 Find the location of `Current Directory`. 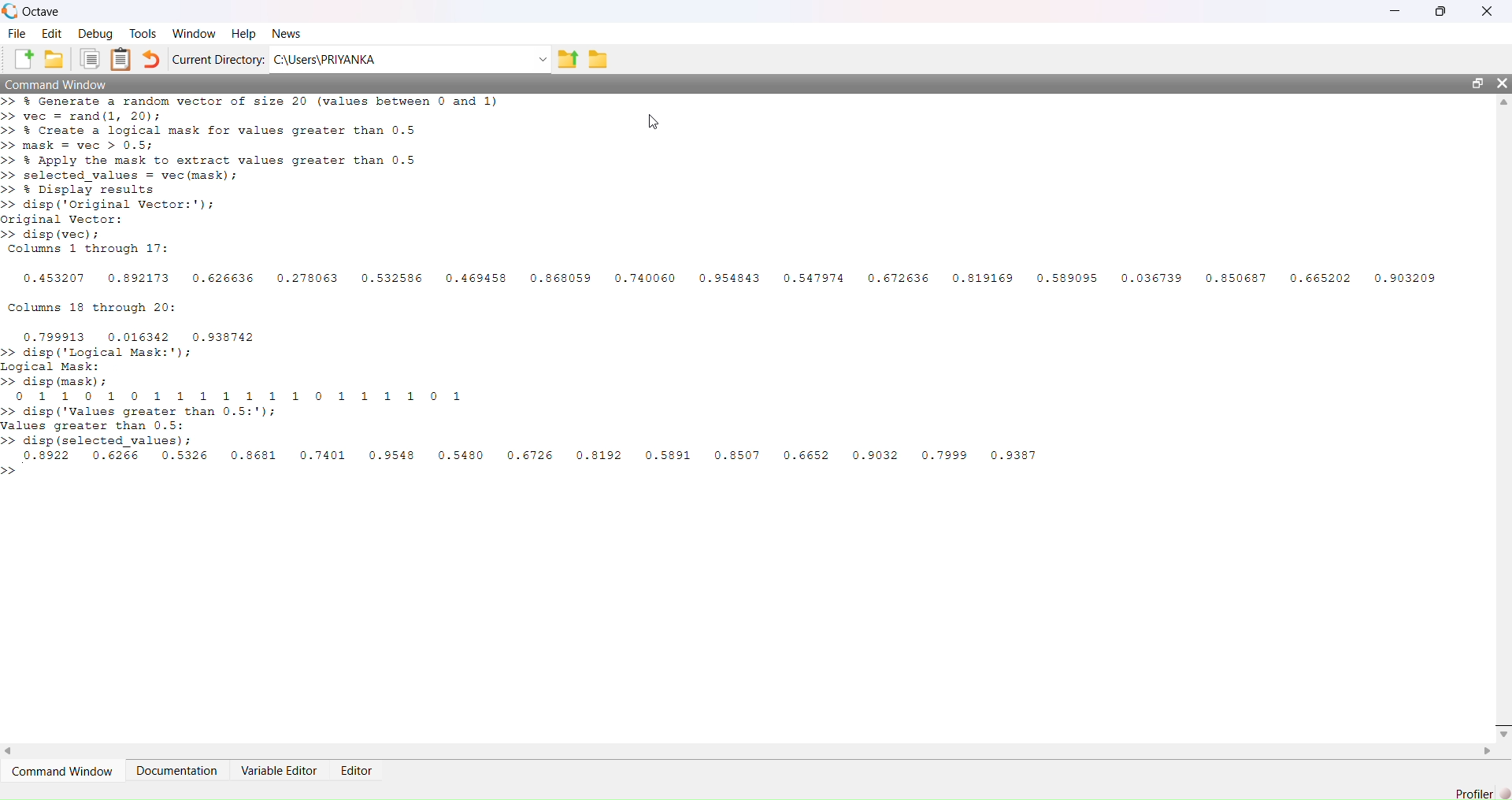

Current Directory is located at coordinates (219, 59).